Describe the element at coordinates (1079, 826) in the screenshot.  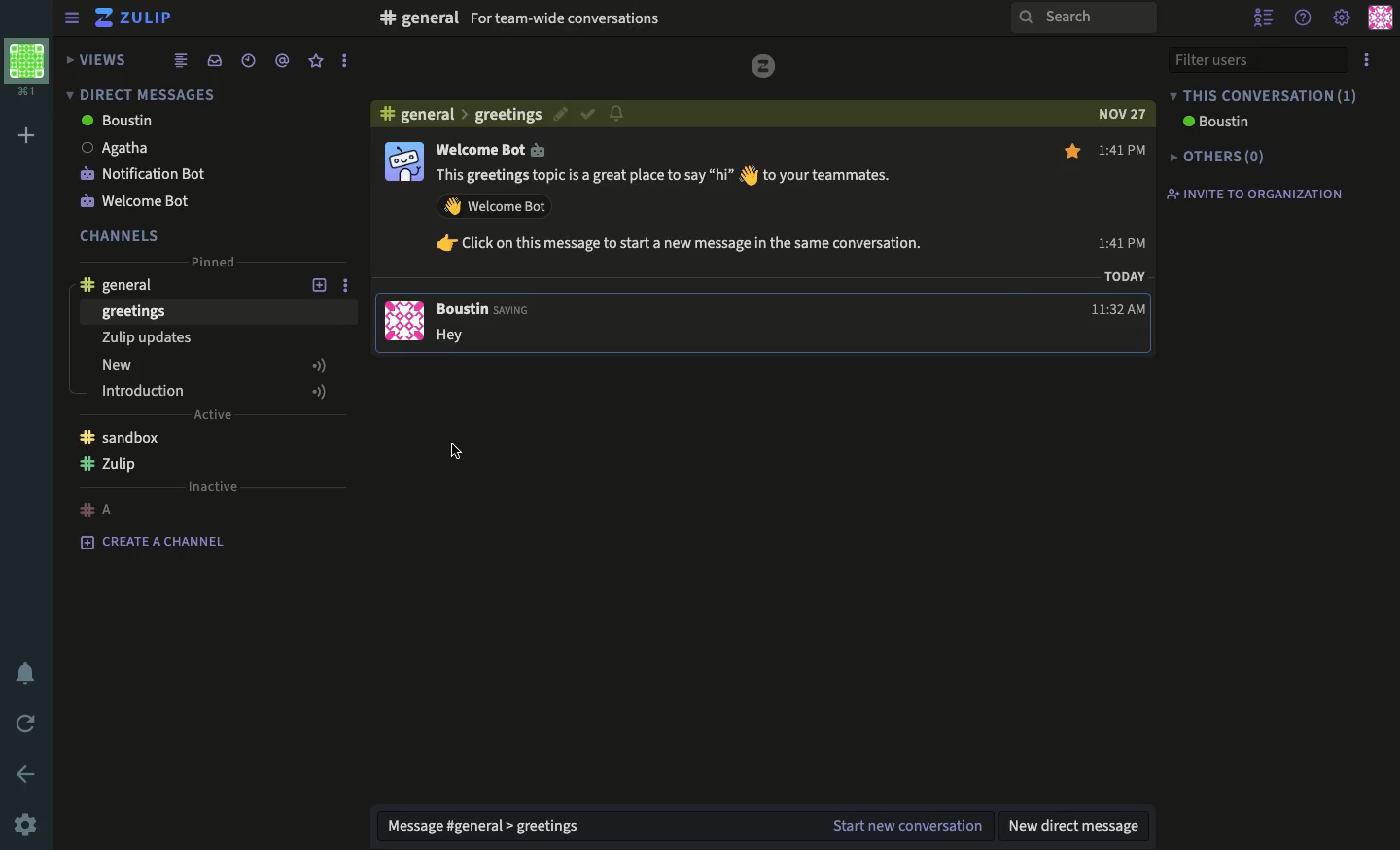
I see `new direct message` at that location.